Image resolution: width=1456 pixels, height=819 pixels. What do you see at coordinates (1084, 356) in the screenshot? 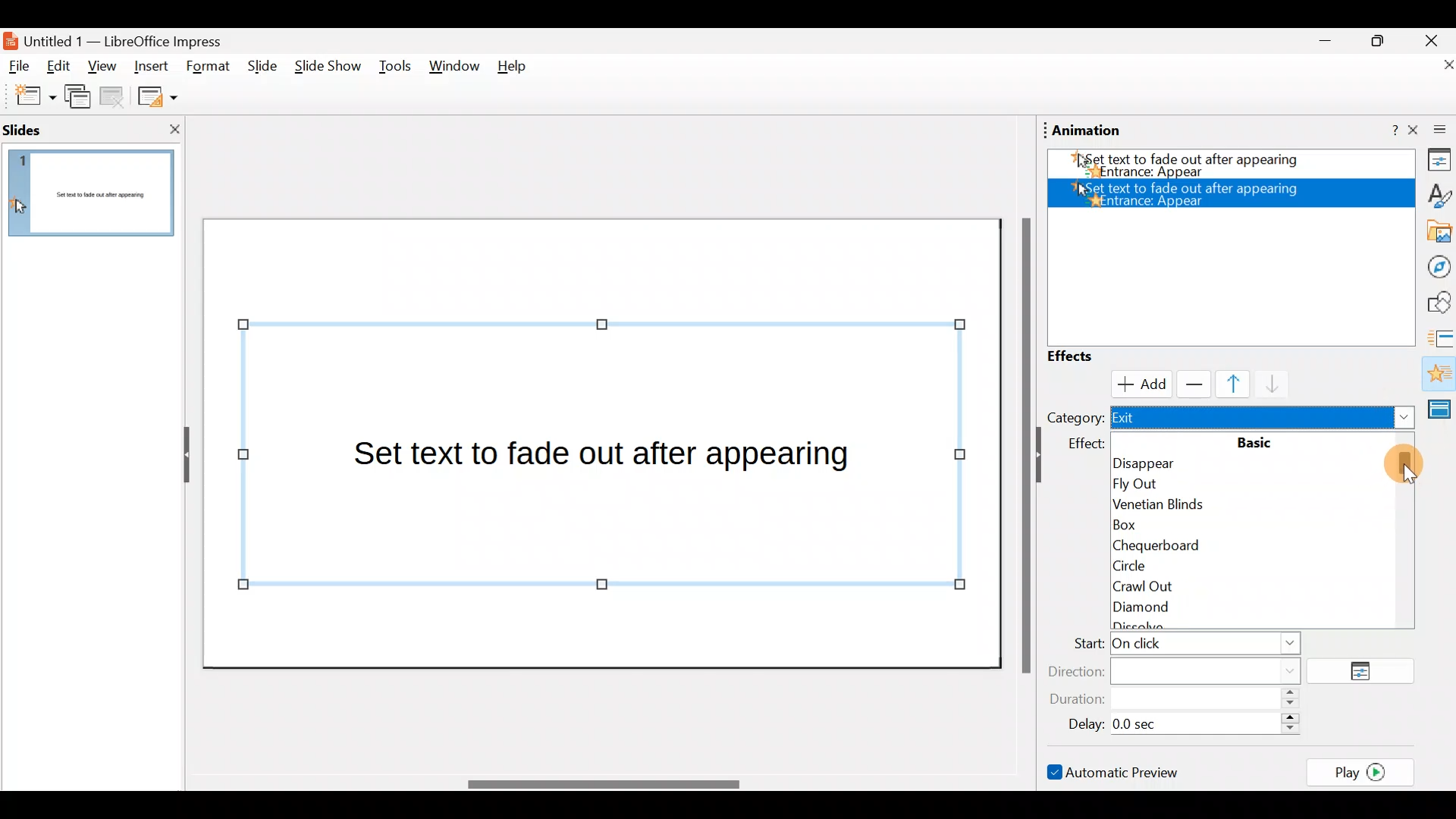
I see `Effects` at bounding box center [1084, 356].